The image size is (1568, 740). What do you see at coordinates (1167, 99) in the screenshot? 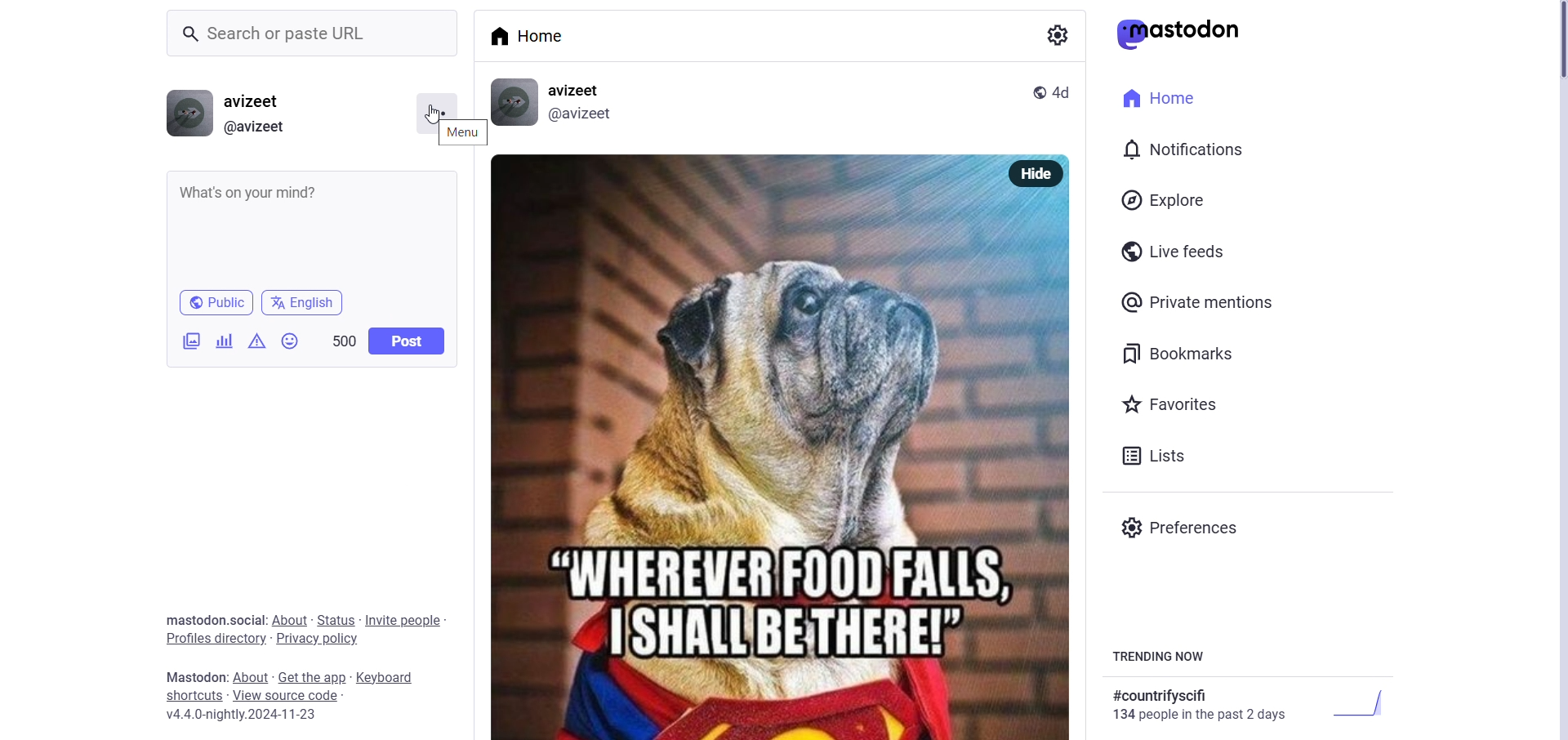
I see `home` at bounding box center [1167, 99].